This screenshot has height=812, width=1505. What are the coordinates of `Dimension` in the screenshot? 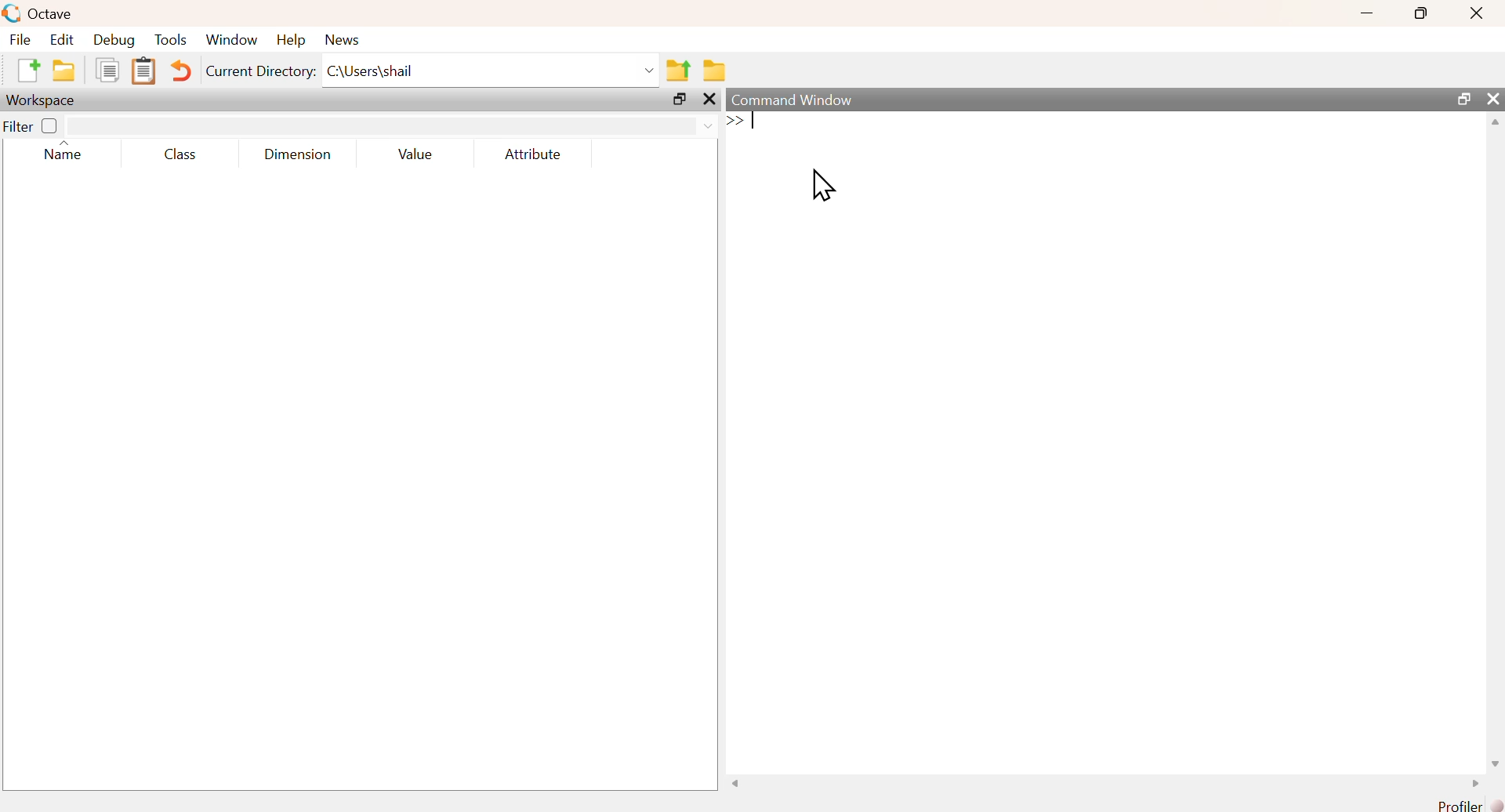 It's located at (300, 155).